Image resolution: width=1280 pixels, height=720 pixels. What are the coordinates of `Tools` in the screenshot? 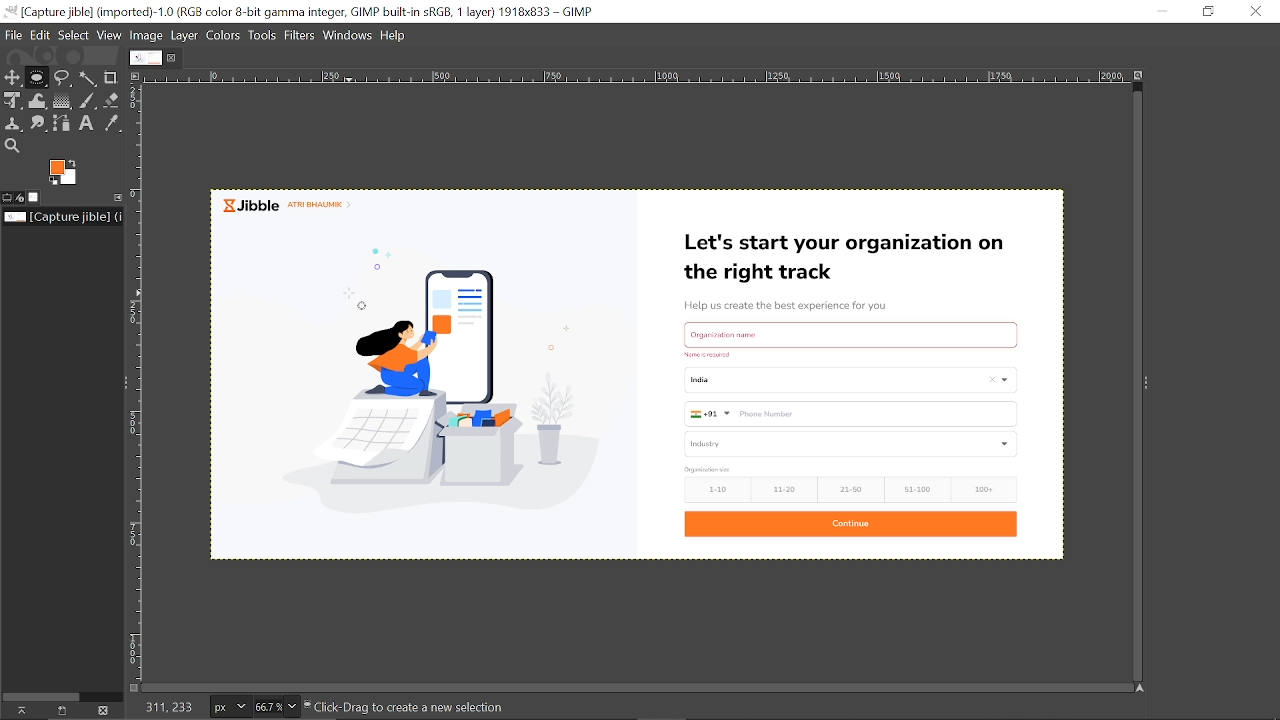 It's located at (264, 35).